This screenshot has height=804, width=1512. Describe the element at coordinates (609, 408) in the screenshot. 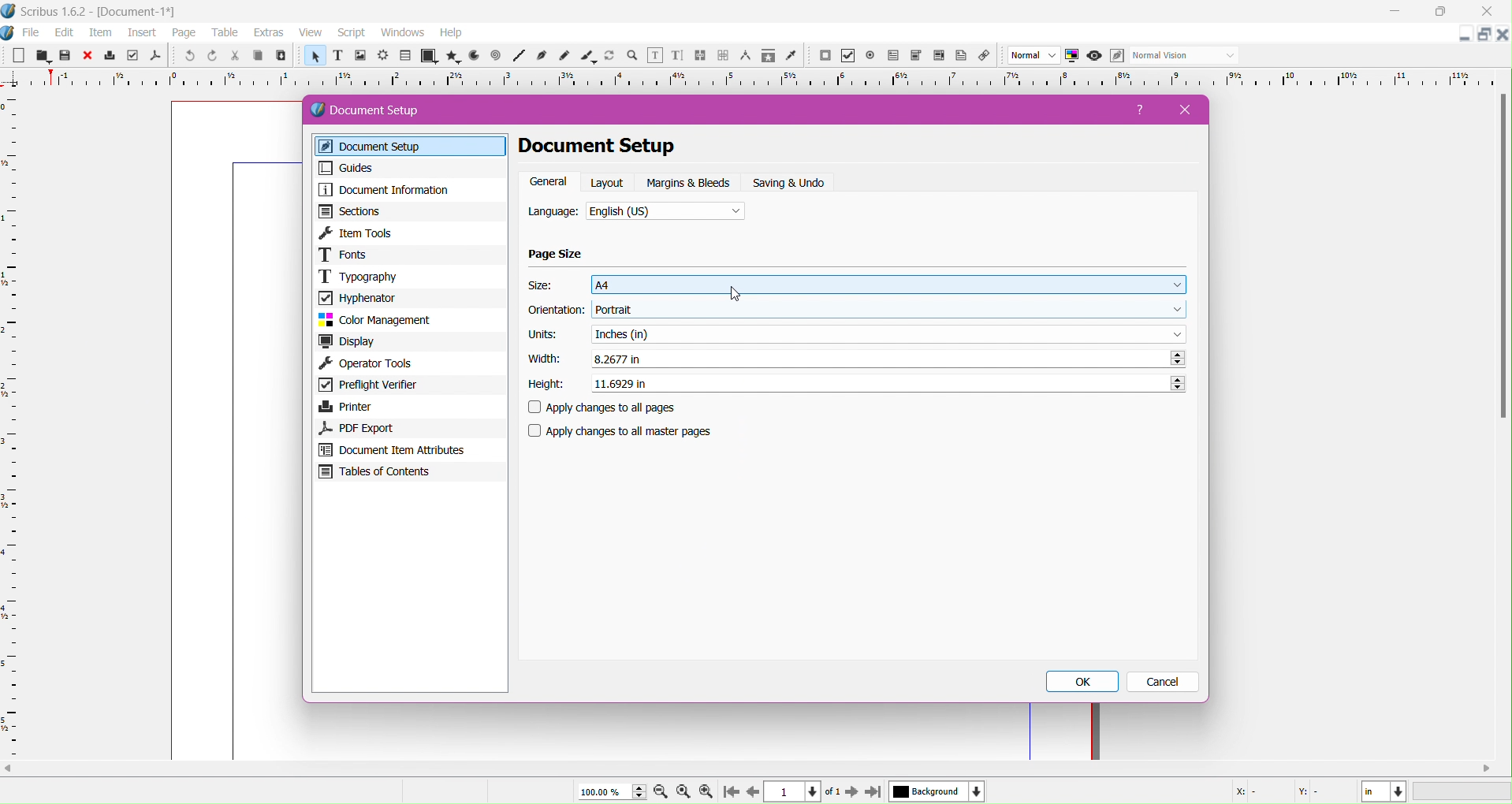

I see `Apply changes to all pages - enable/disable` at that location.